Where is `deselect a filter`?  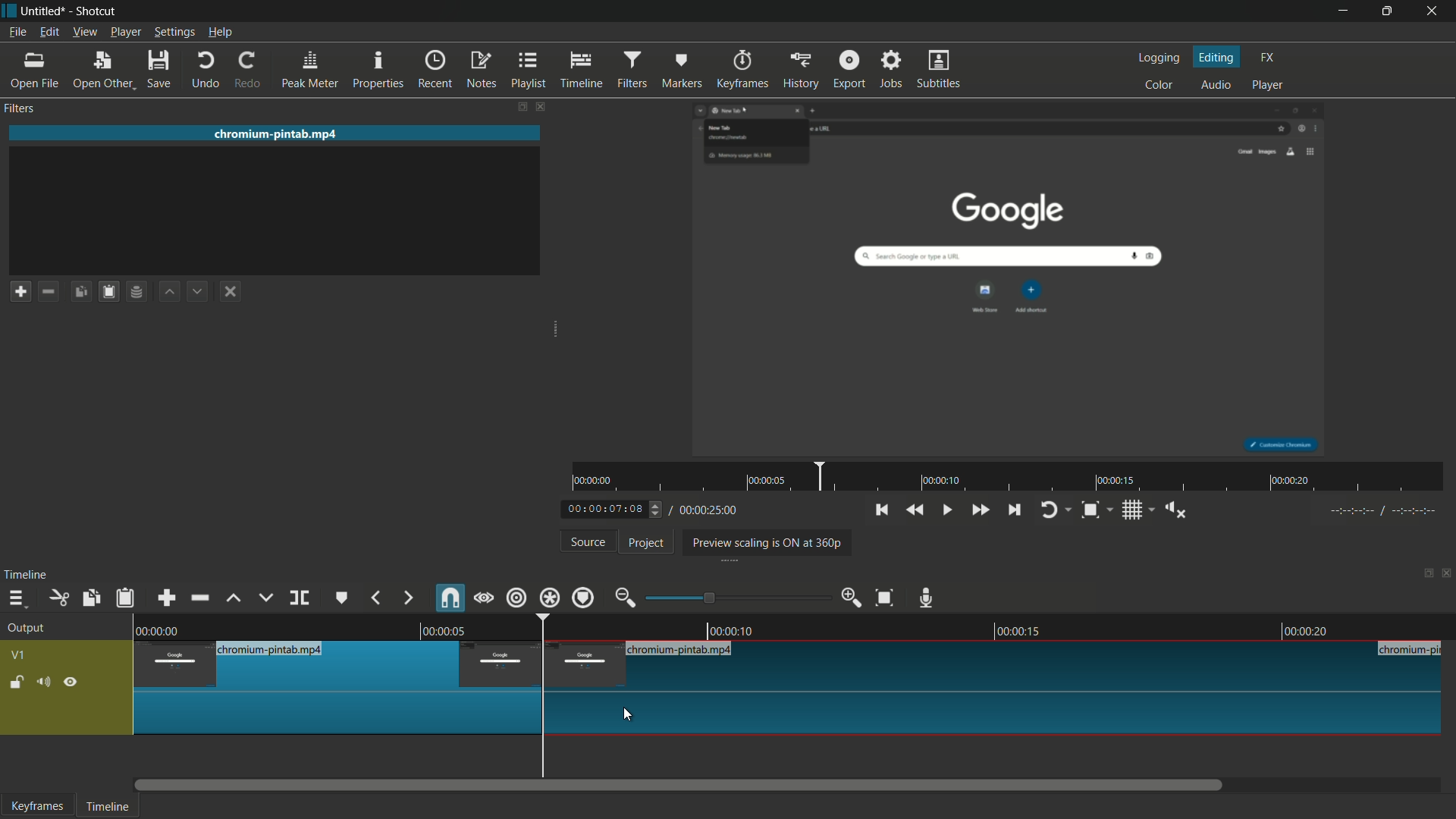 deselect a filter is located at coordinates (230, 291).